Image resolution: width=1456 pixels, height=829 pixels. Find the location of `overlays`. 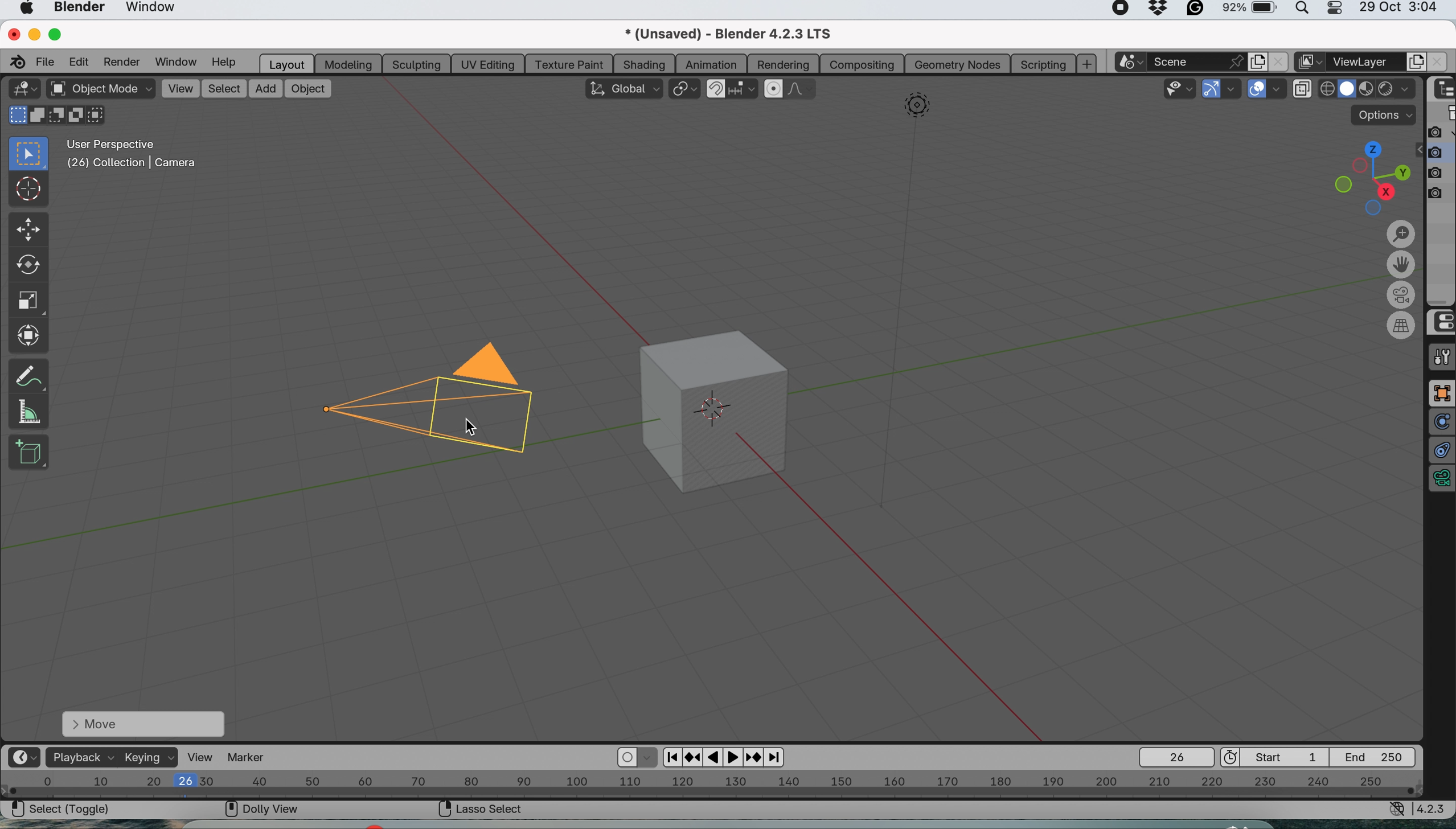

overlays is located at coordinates (1280, 89).